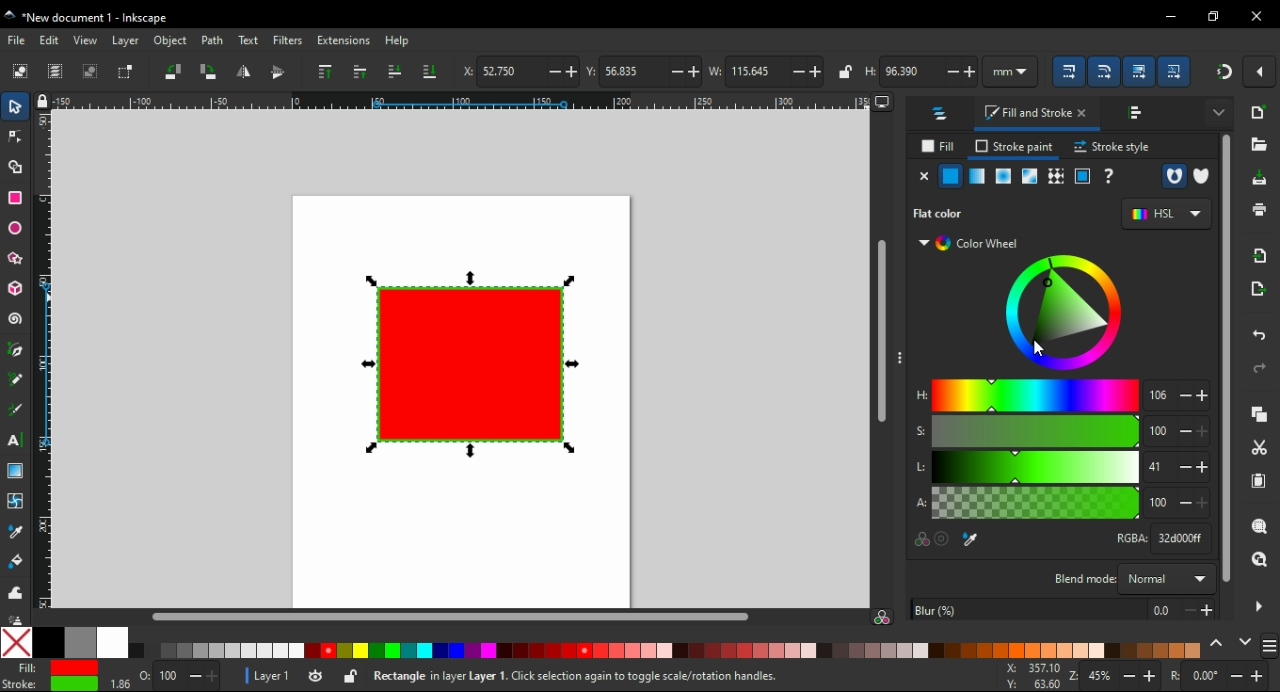 The height and width of the screenshot is (692, 1280). What do you see at coordinates (1256, 179) in the screenshot?
I see `save` at bounding box center [1256, 179].